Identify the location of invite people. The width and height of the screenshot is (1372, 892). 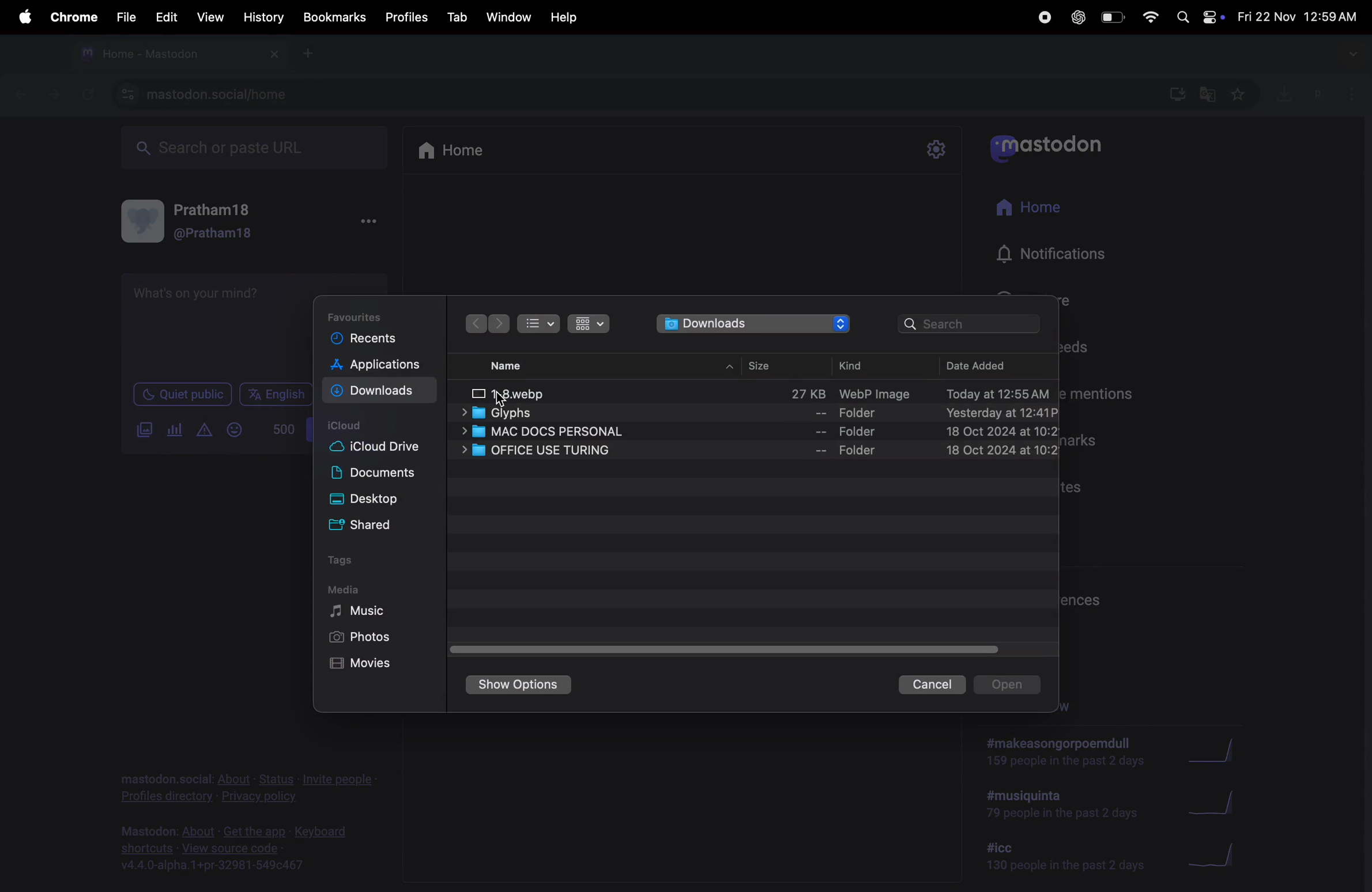
(337, 780).